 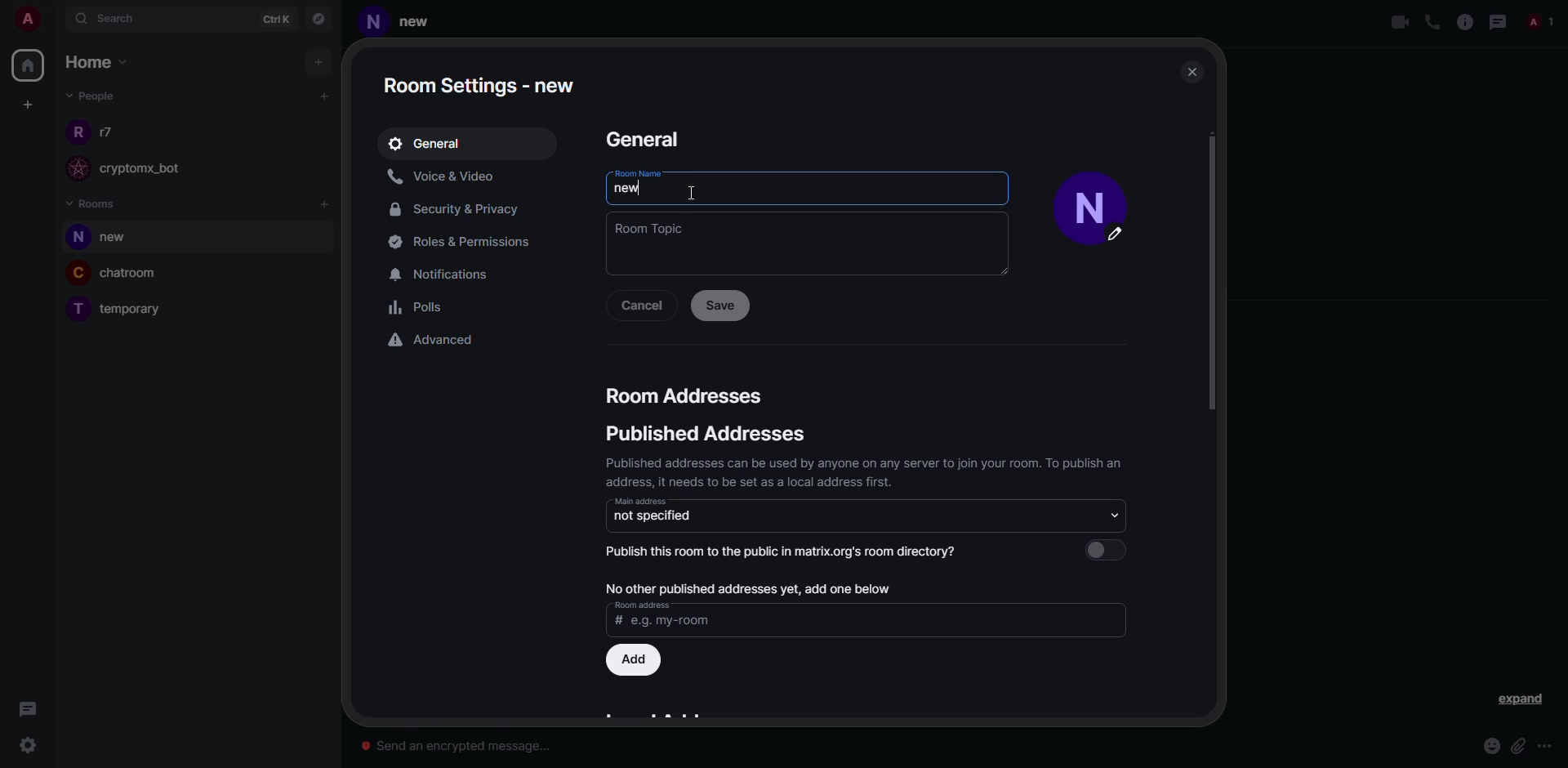 I want to click on ctrlK, so click(x=268, y=19).